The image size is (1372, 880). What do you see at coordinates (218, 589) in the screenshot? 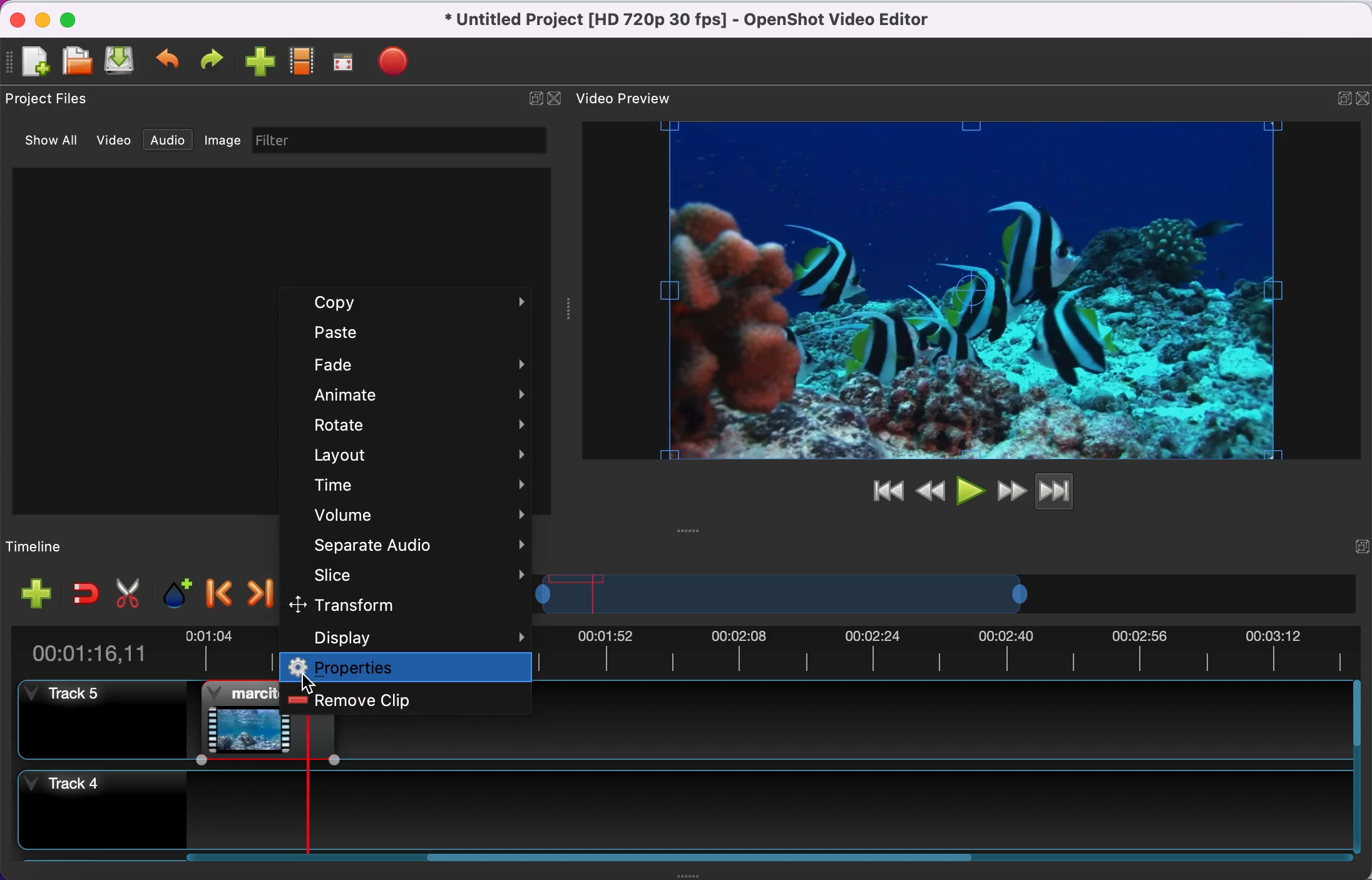
I see `previous marker` at bounding box center [218, 589].